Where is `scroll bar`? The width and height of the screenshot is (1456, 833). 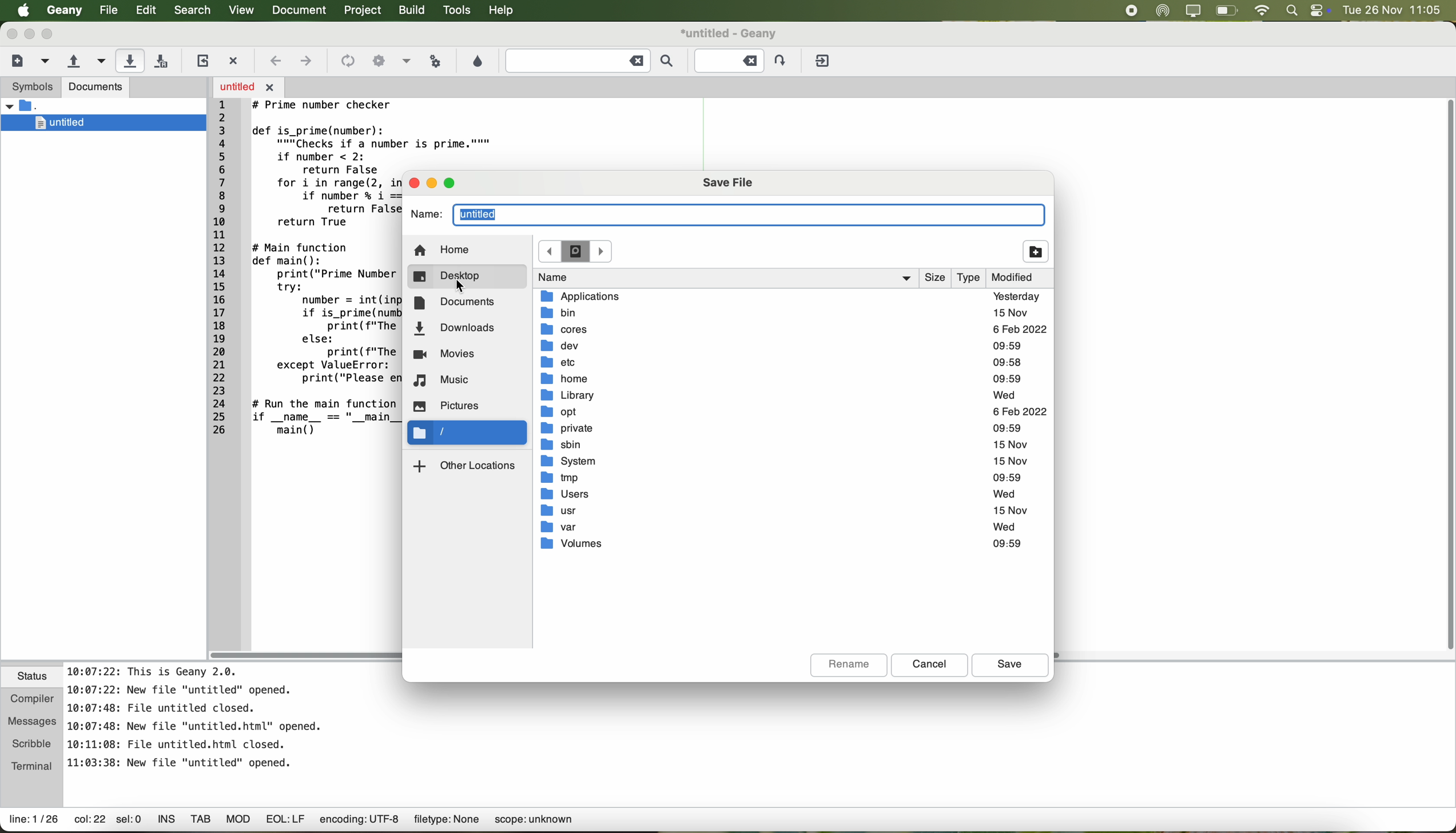 scroll bar is located at coordinates (1447, 376).